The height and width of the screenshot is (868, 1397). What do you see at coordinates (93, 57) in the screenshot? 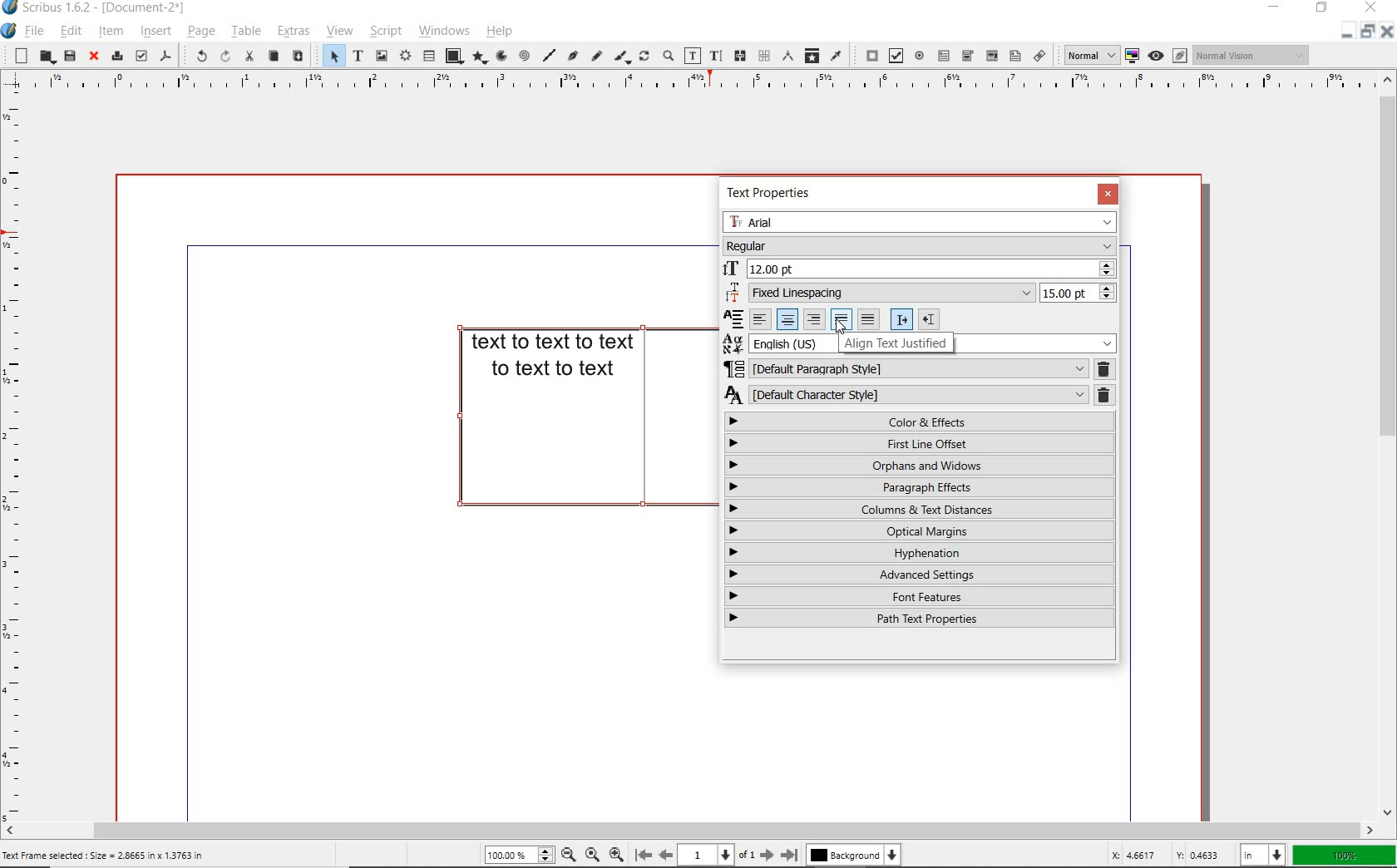
I see `close` at bounding box center [93, 57].